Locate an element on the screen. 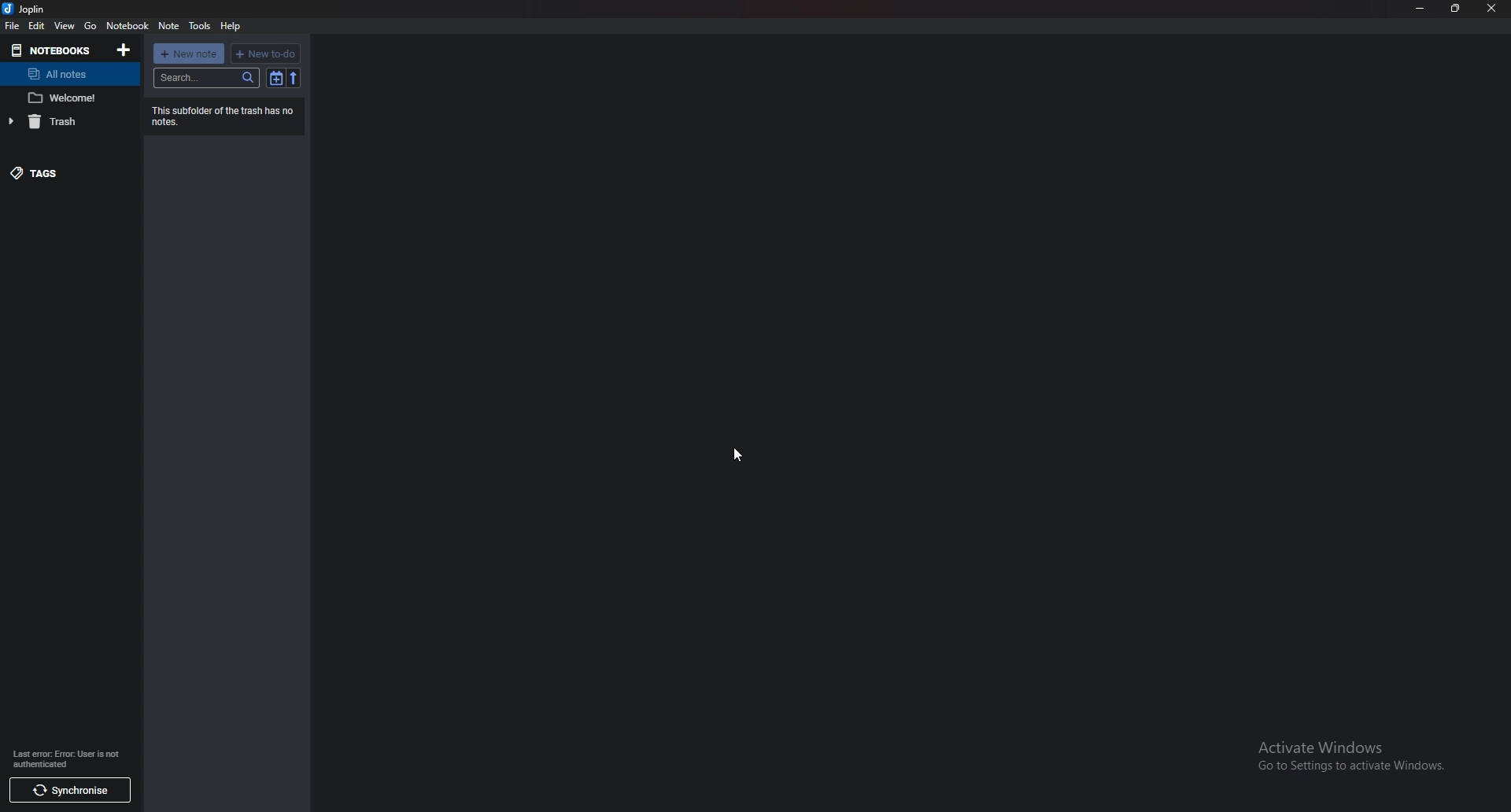  “This subfolder of the trash has no notes. is located at coordinates (225, 115).